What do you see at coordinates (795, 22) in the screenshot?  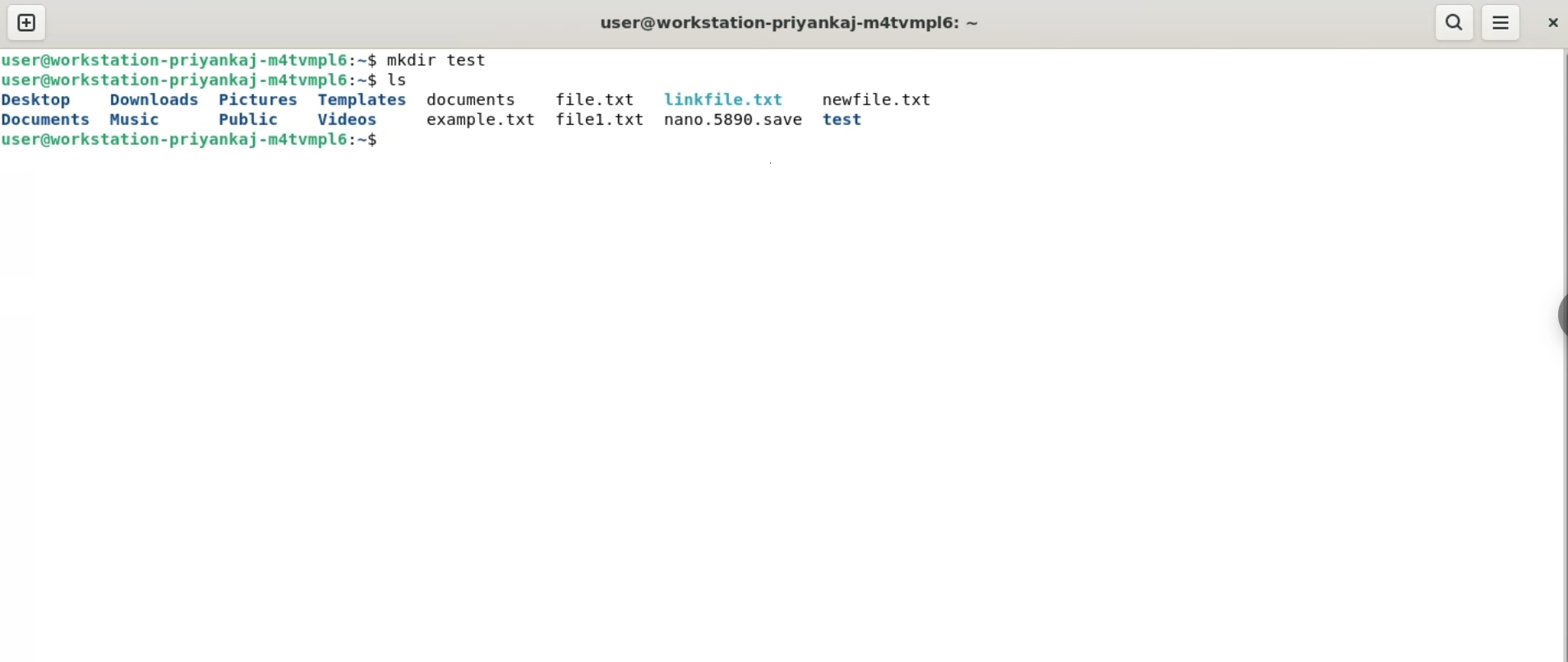 I see `user@workstation-priyankaj-m4tvmpl6: ~` at bounding box center [795, 22].